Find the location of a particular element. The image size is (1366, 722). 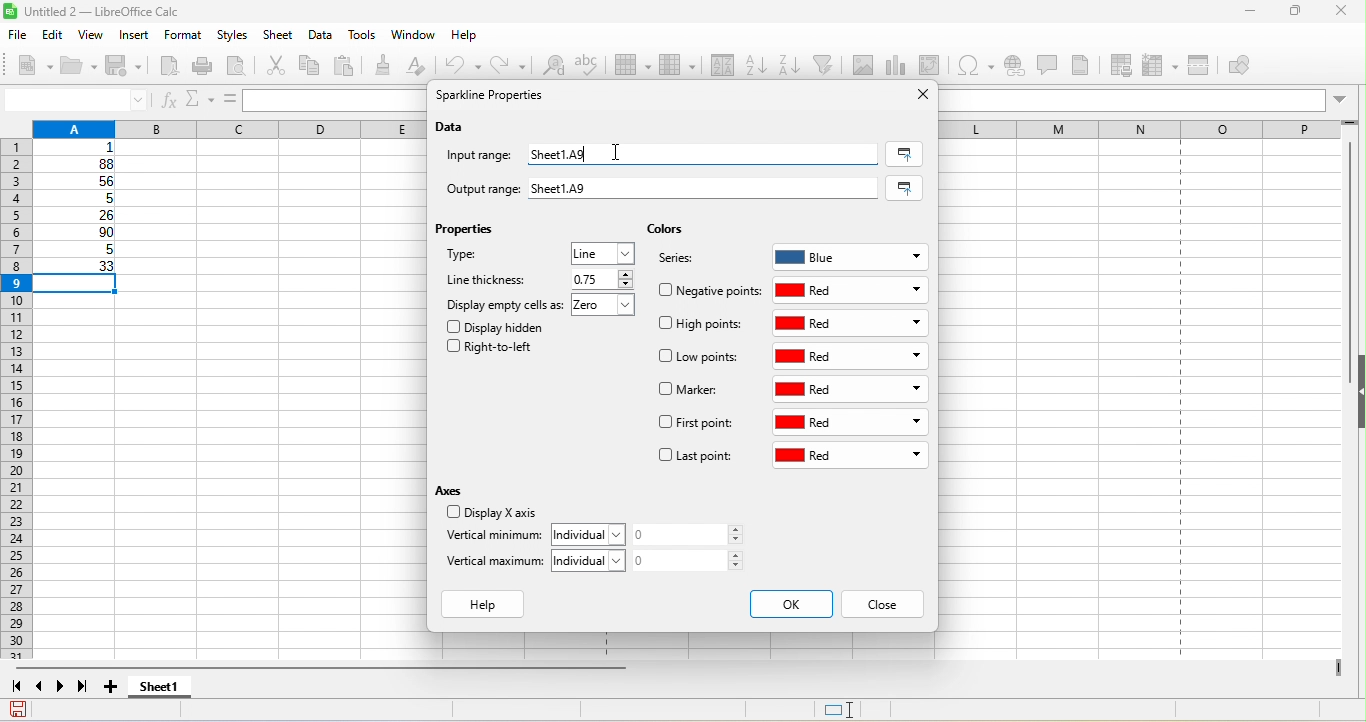

blue is located at coordinates (851, 254).